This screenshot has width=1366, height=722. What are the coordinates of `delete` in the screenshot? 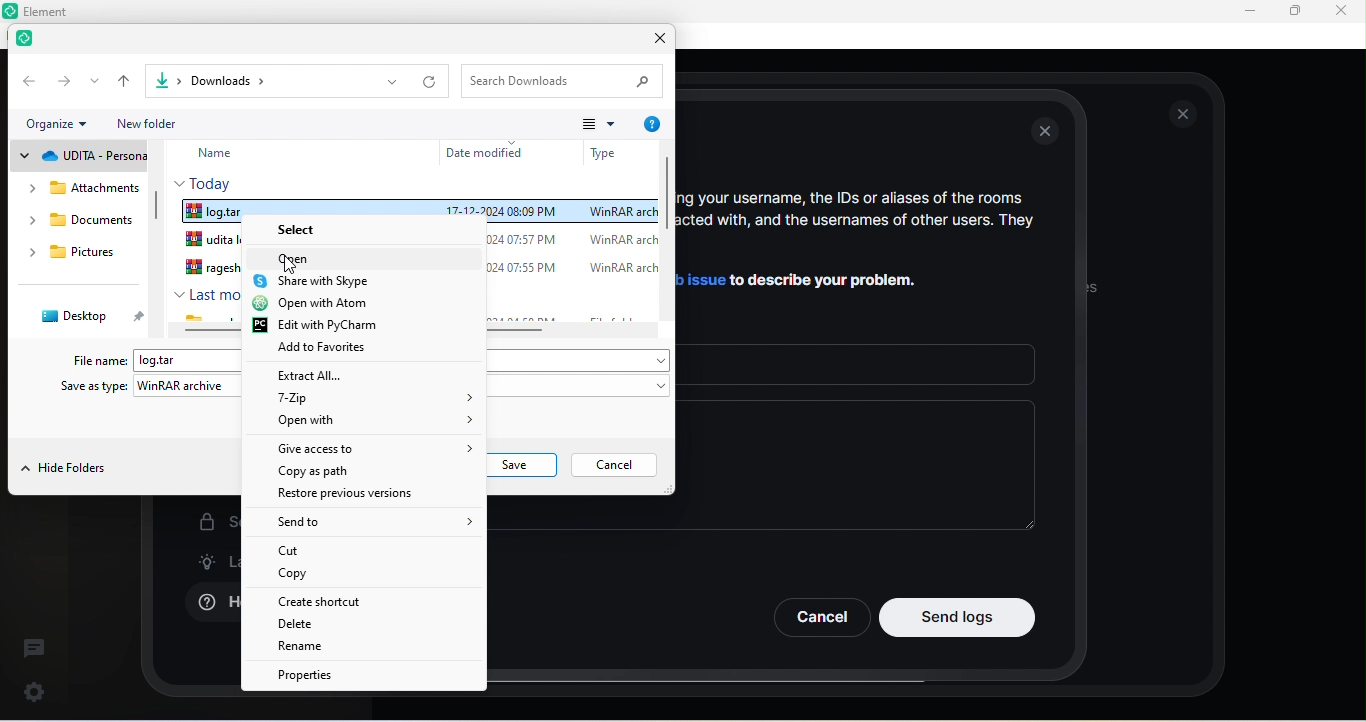 It's located at (317, 626).